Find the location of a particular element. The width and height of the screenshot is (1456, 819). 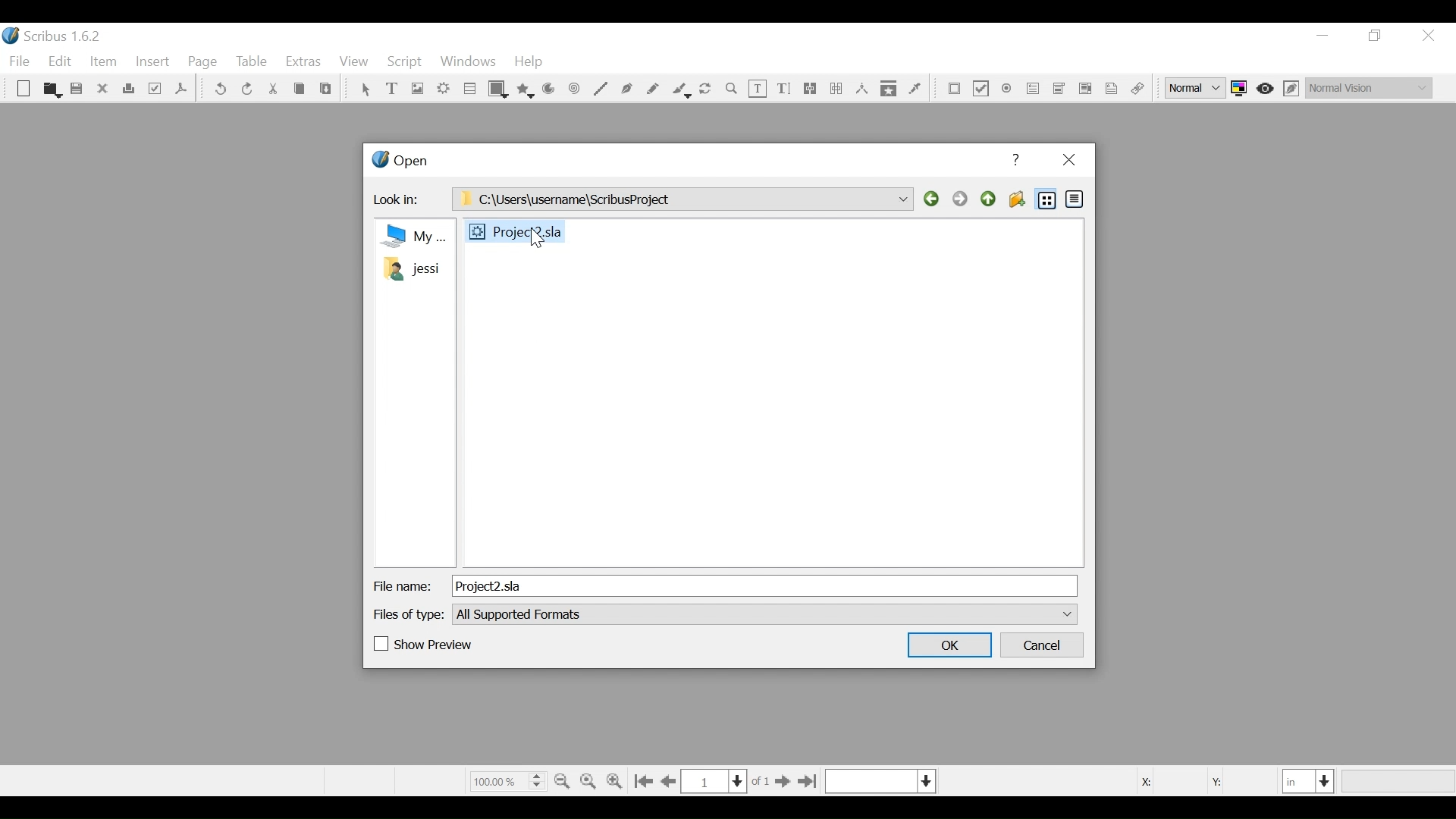

Cut is located at coordinates (272, 89).